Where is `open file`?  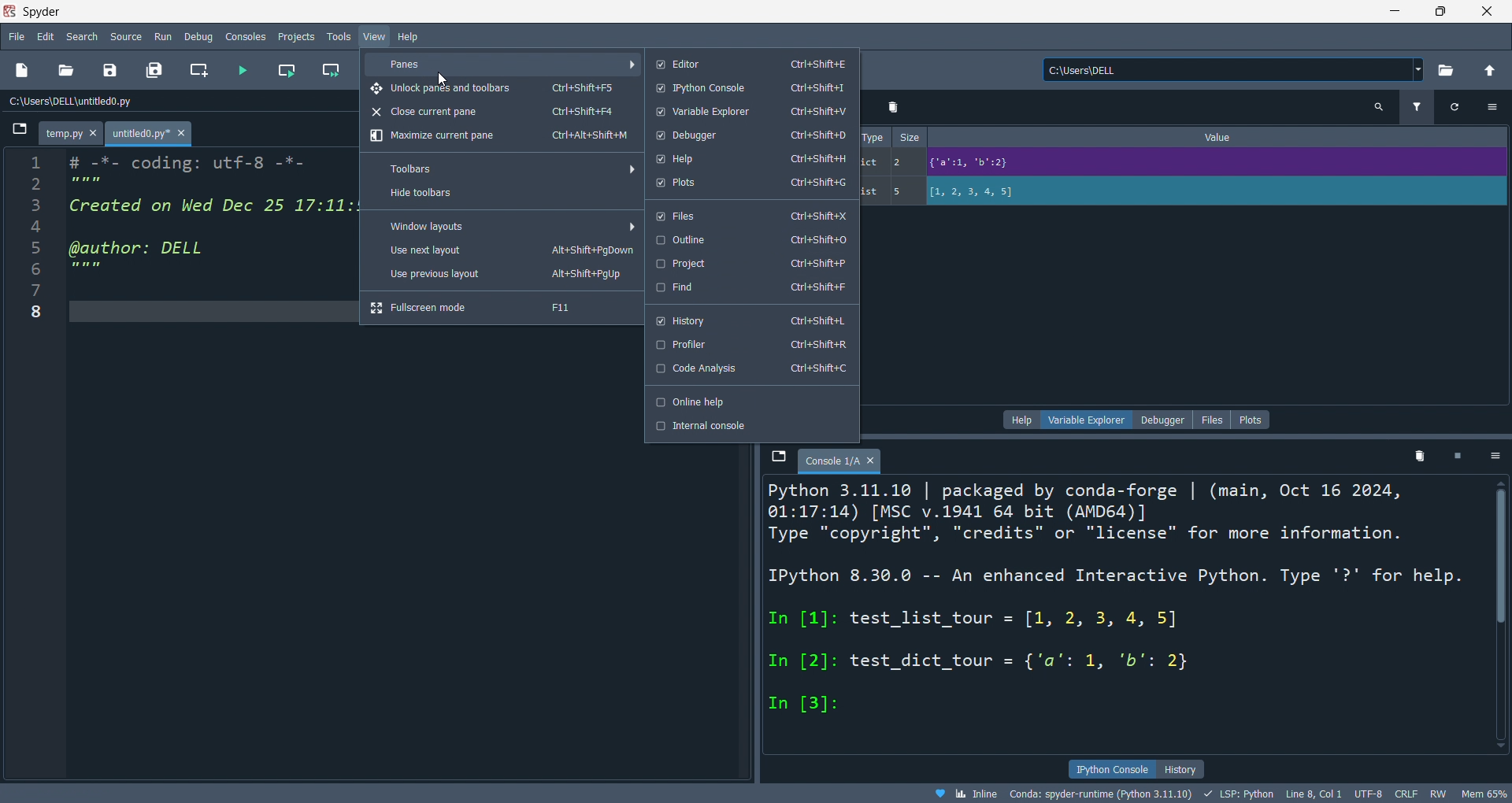 open file is located at coordinates (68, 68).